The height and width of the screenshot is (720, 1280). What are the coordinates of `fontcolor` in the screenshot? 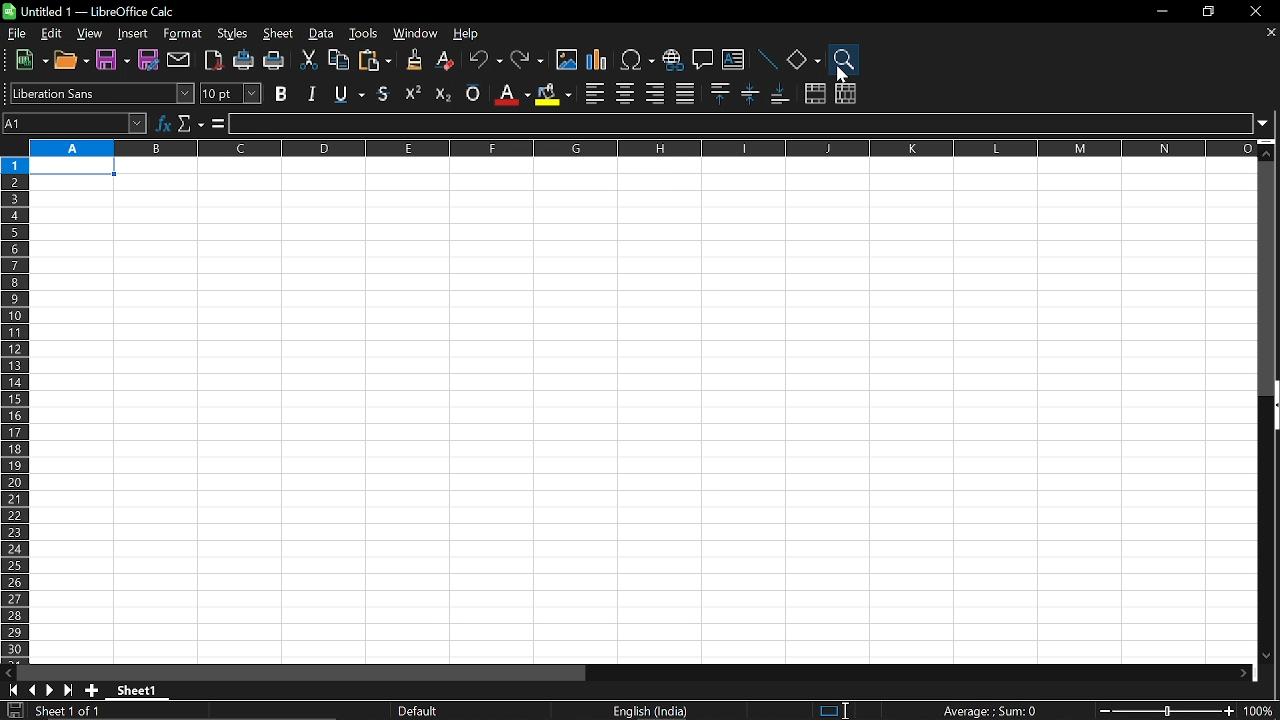 It's located at (511, 94).